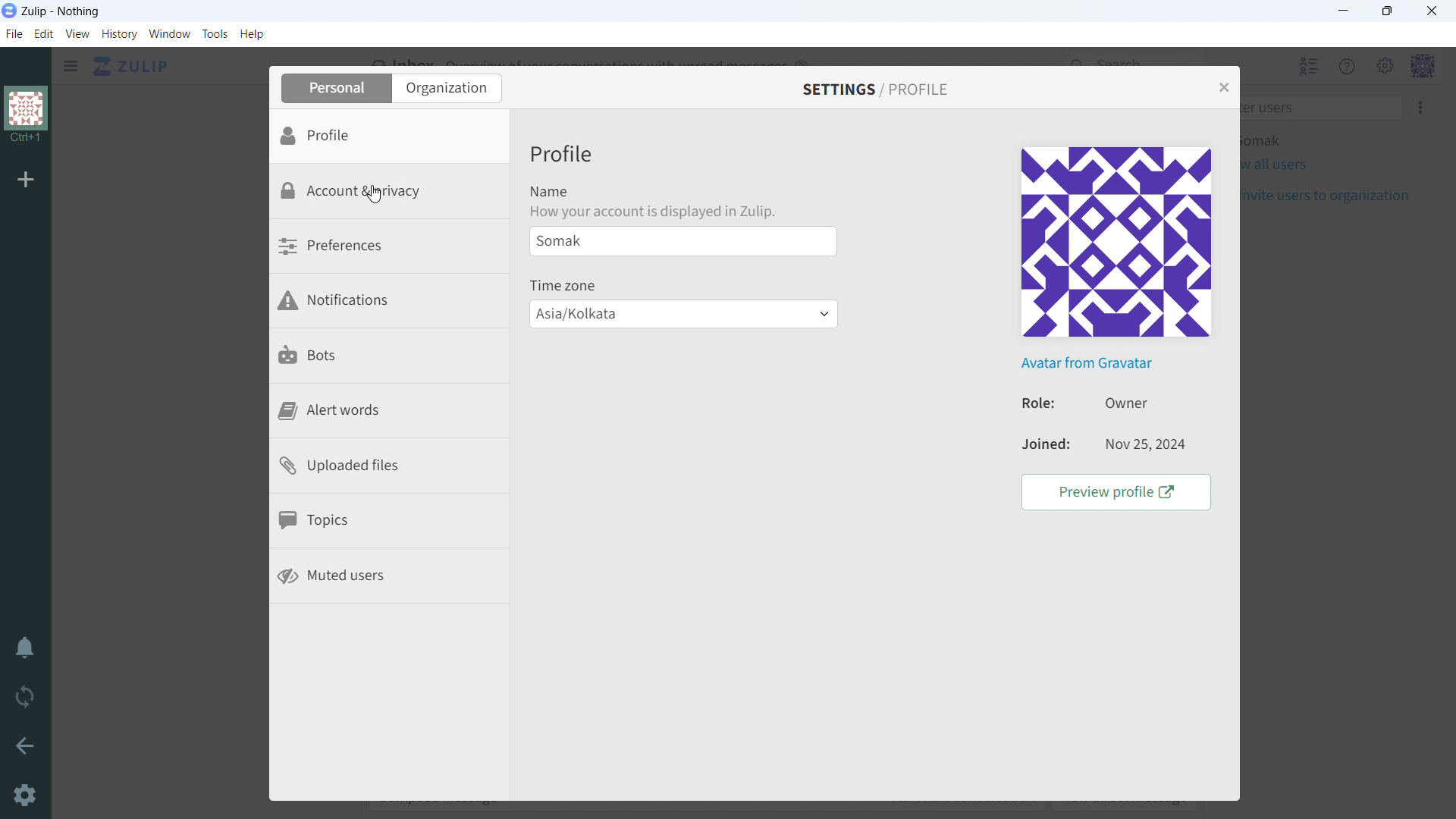 Image resolution: width=1456 pixels, height=819 pixels. What do you see at coordinates (26, 178) in the screenshot?
I see `add organization` at bounding box center [26, 178].